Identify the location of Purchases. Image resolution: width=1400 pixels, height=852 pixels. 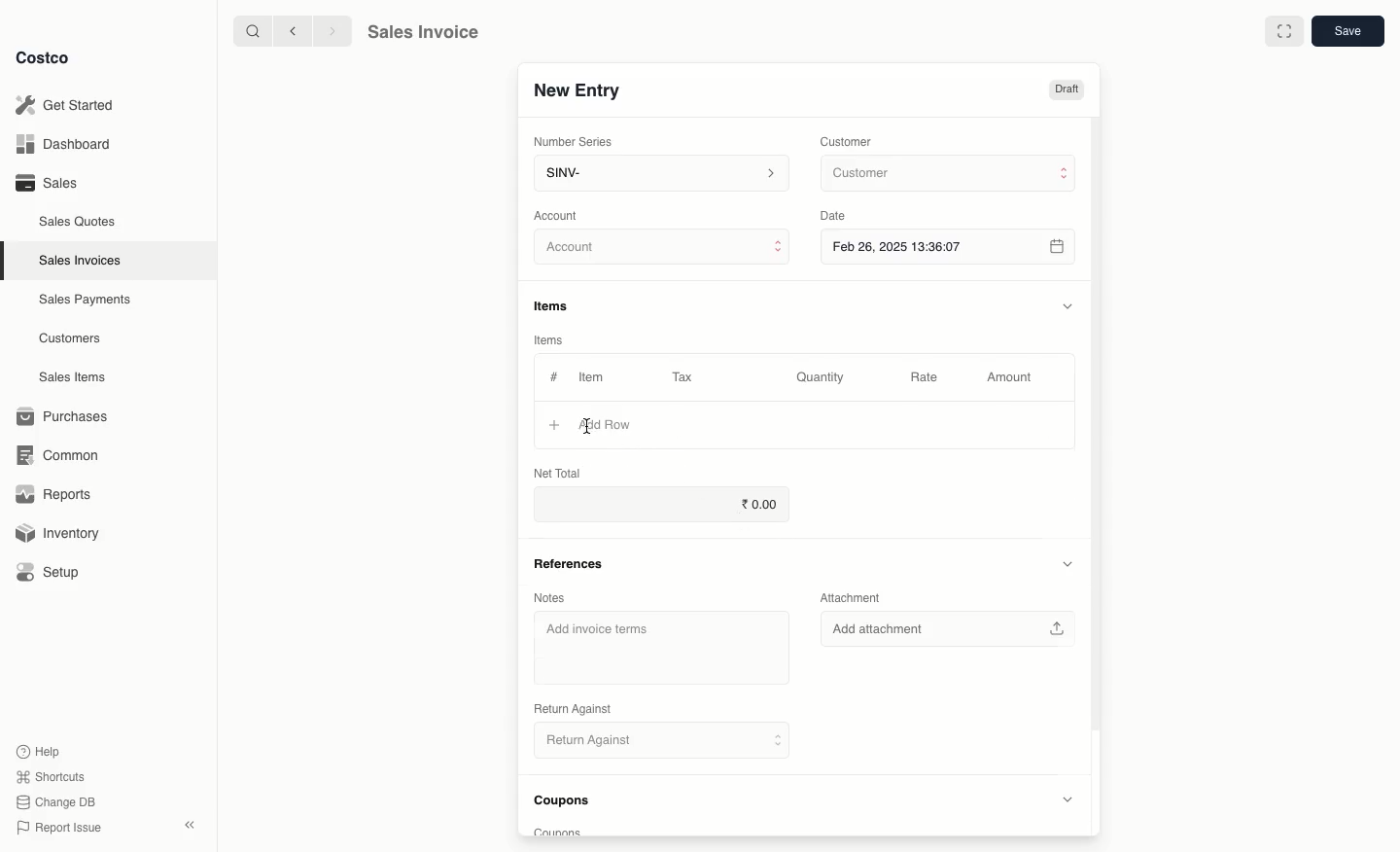
(67, 416).